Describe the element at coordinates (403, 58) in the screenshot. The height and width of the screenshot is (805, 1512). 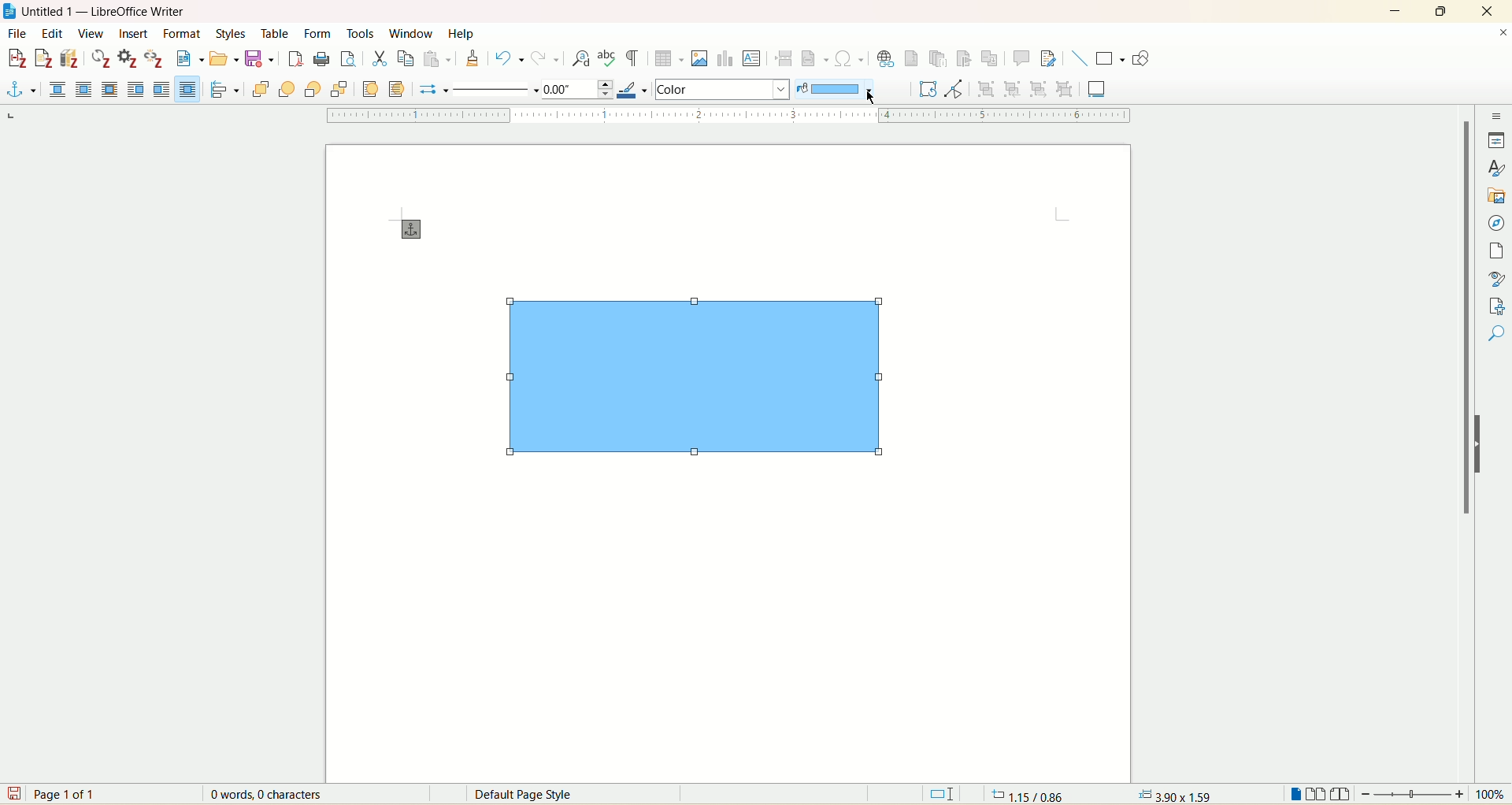
I see `copy` at that location.